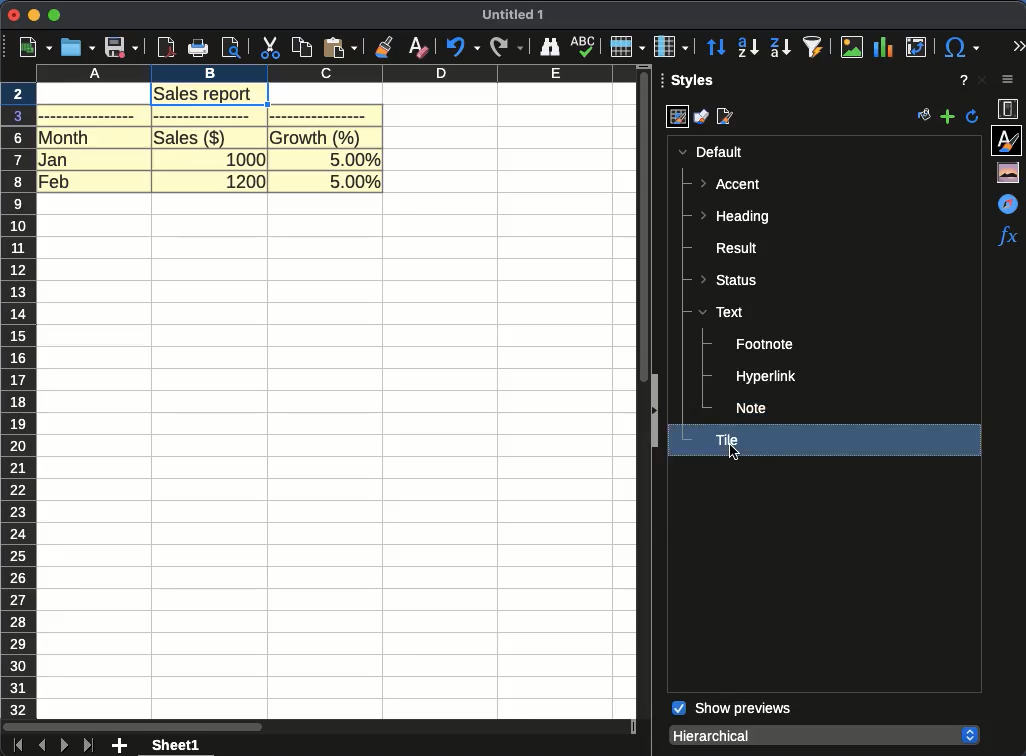 This screenshot has height=756, width=1026. What do you see at coordinates (959, 47) in the screenshot?
I see `special character` at bounding box center [959, 47].